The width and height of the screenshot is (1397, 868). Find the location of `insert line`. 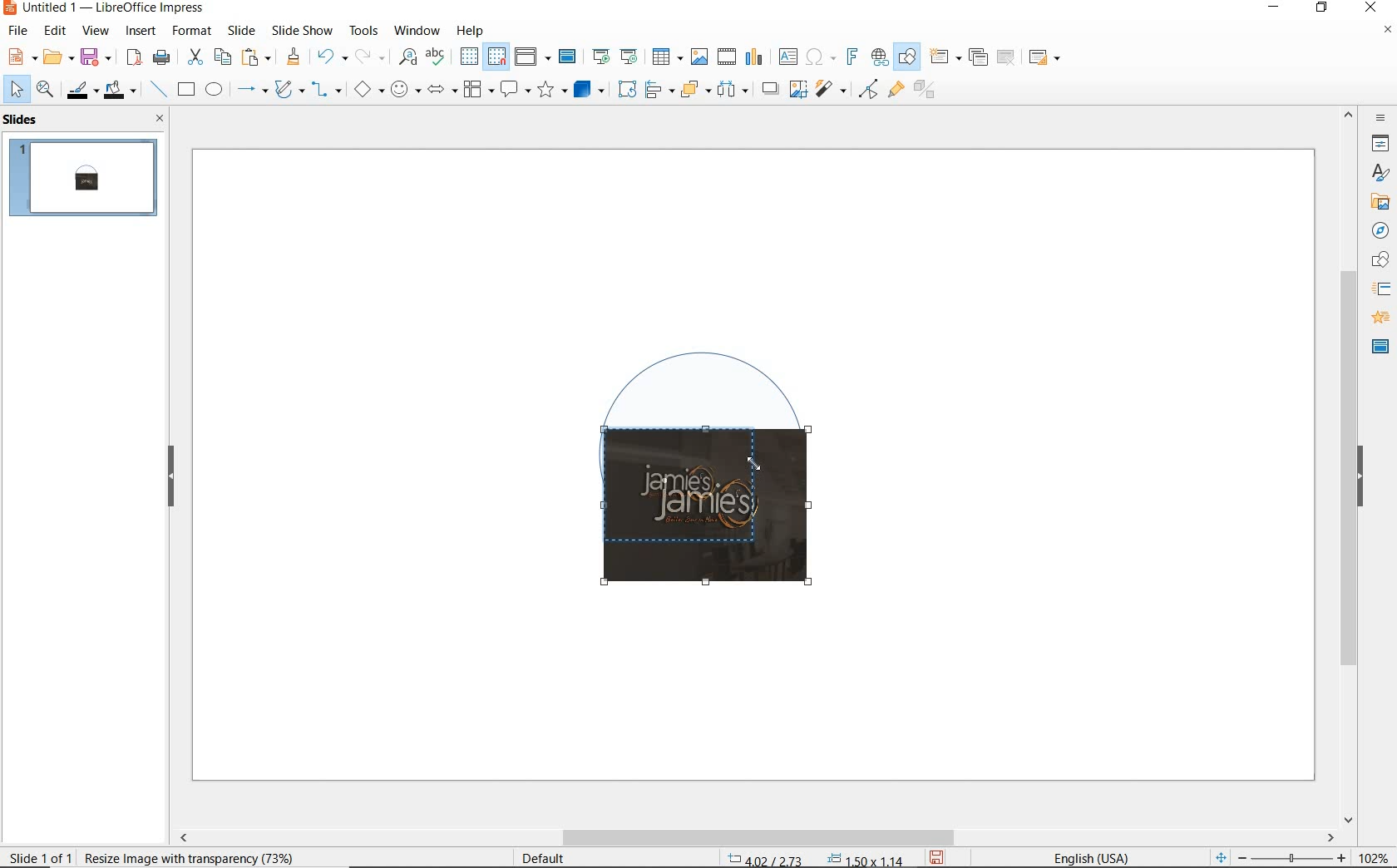

insert line is located at coordinates (157, 90).